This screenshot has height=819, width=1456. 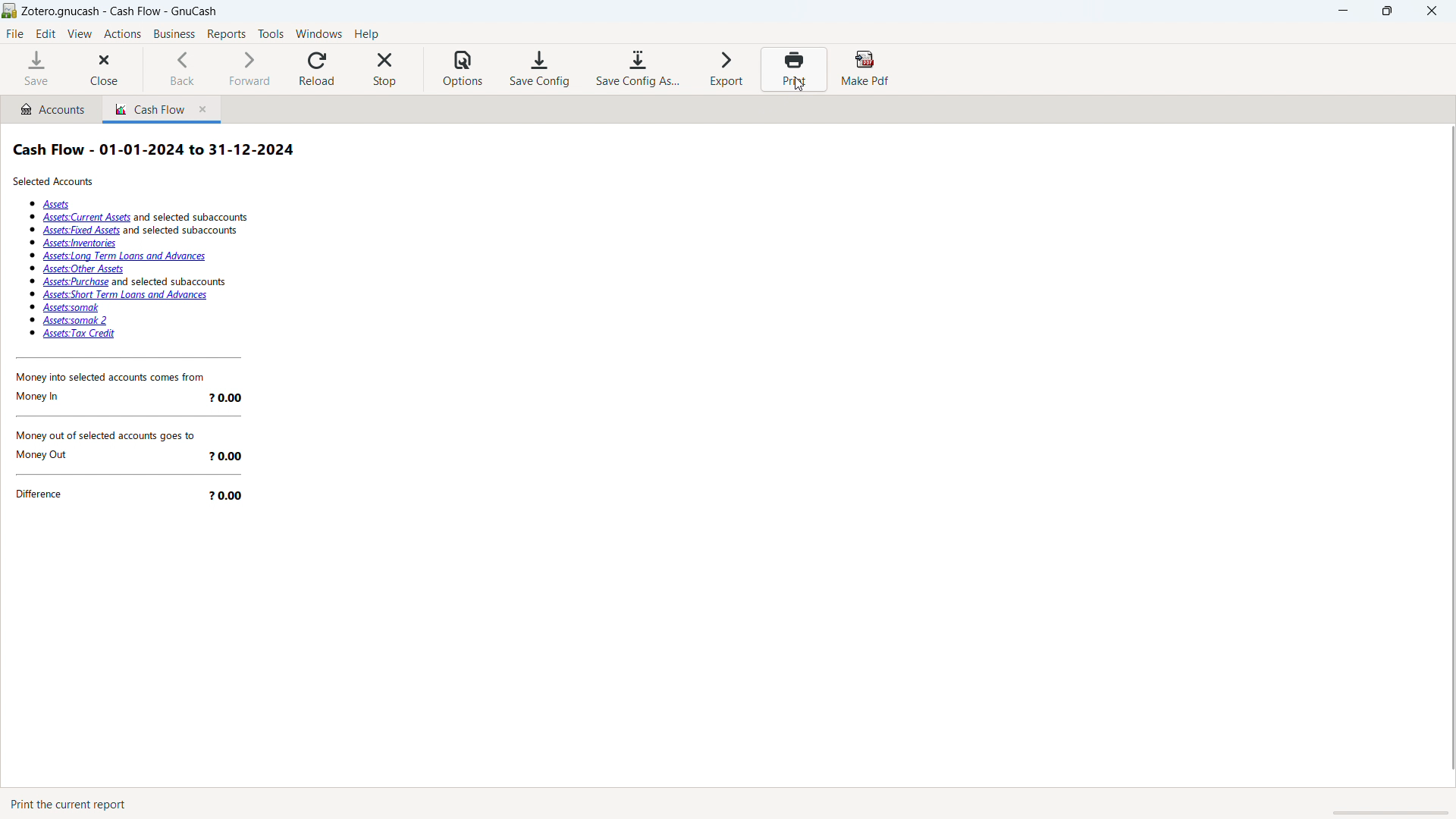 I want to click on ‘Money into selected accounts comes from, so click(x=120, y=379).